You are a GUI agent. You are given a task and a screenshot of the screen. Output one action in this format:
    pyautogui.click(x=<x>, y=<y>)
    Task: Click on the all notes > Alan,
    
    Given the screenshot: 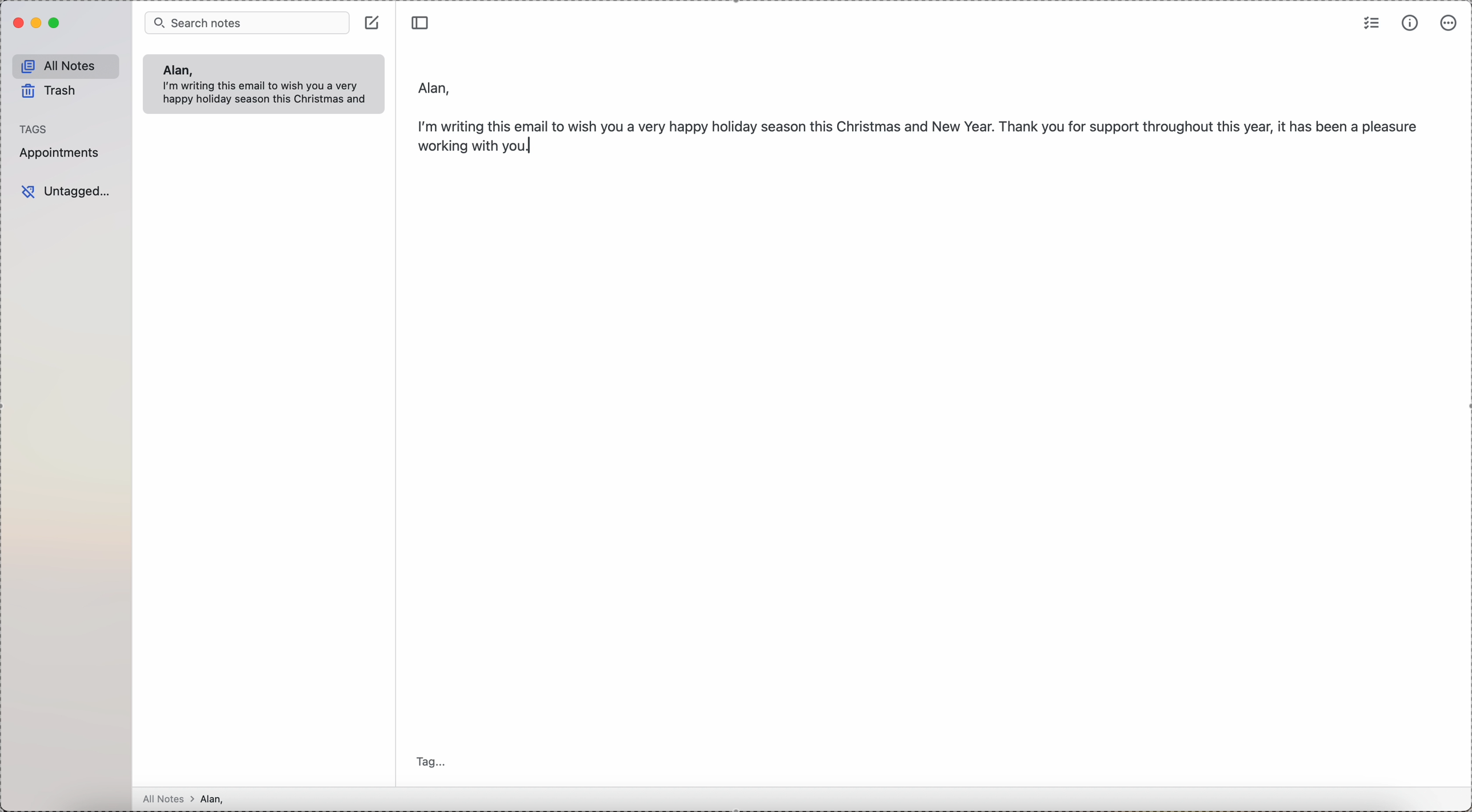 What is the action you would take?
    pyautogui.click(x=187, y=799)
    